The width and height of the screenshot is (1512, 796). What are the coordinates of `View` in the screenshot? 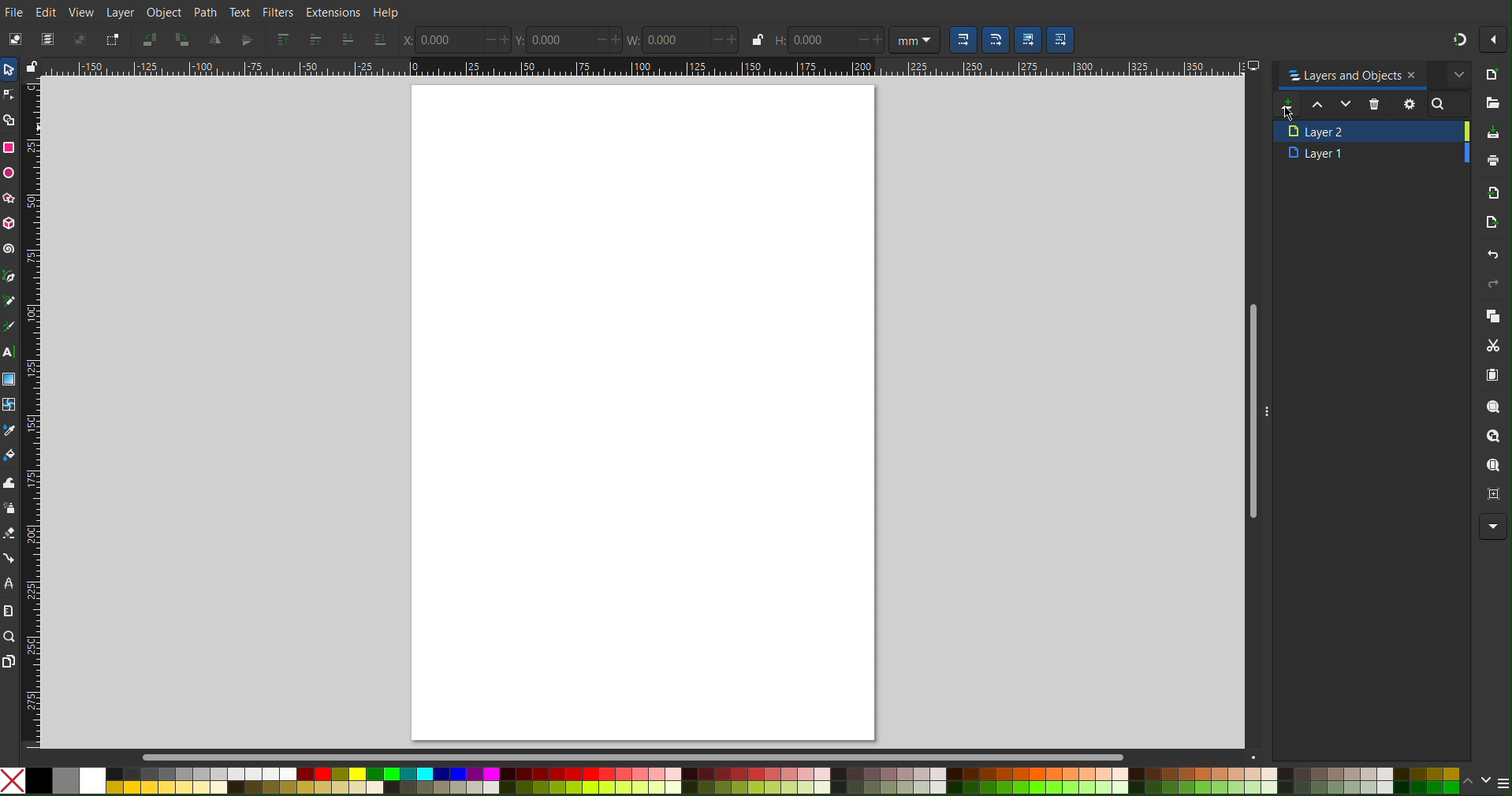 It's located at (80, 11).